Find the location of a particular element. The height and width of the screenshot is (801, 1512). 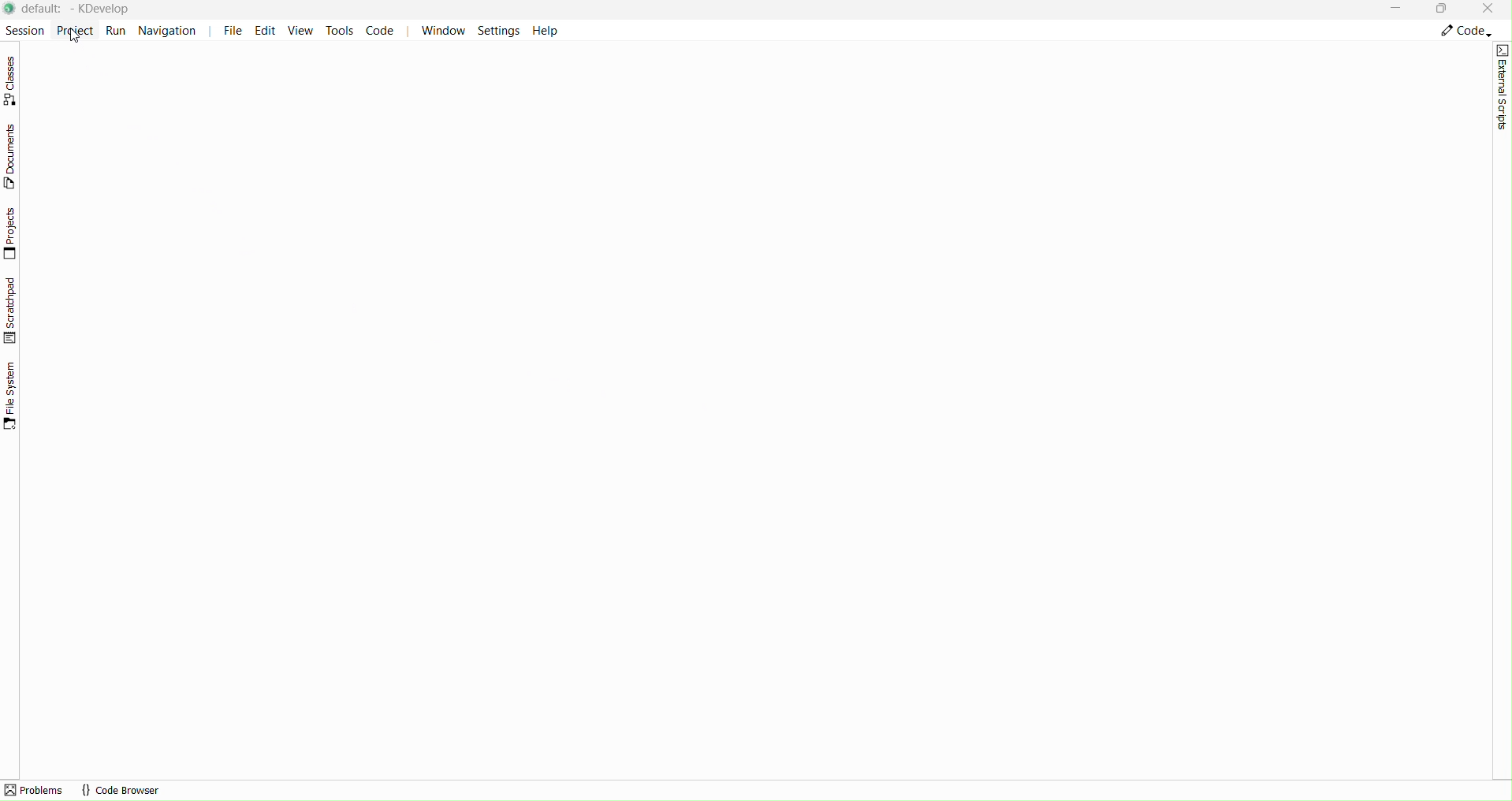

Code is located at coordinates (382, 31).